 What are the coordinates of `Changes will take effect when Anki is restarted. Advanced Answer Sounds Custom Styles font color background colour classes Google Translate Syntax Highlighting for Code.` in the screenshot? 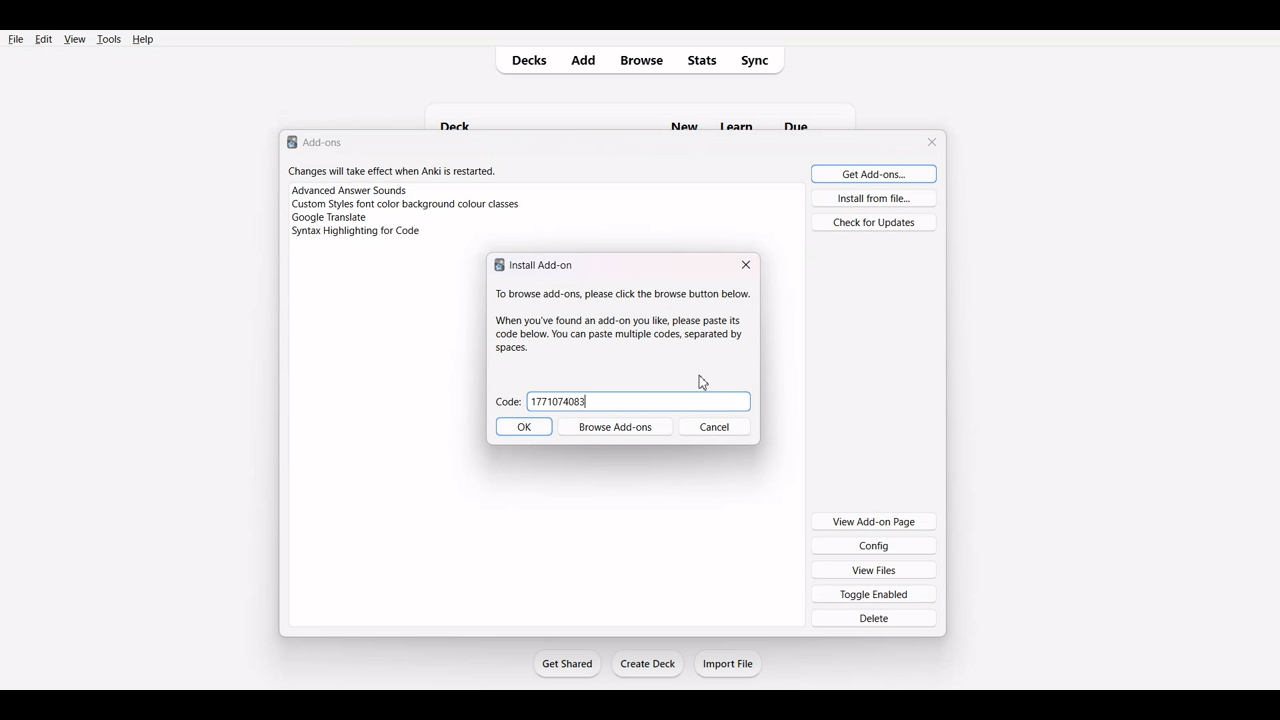 It's located at (414, 208).